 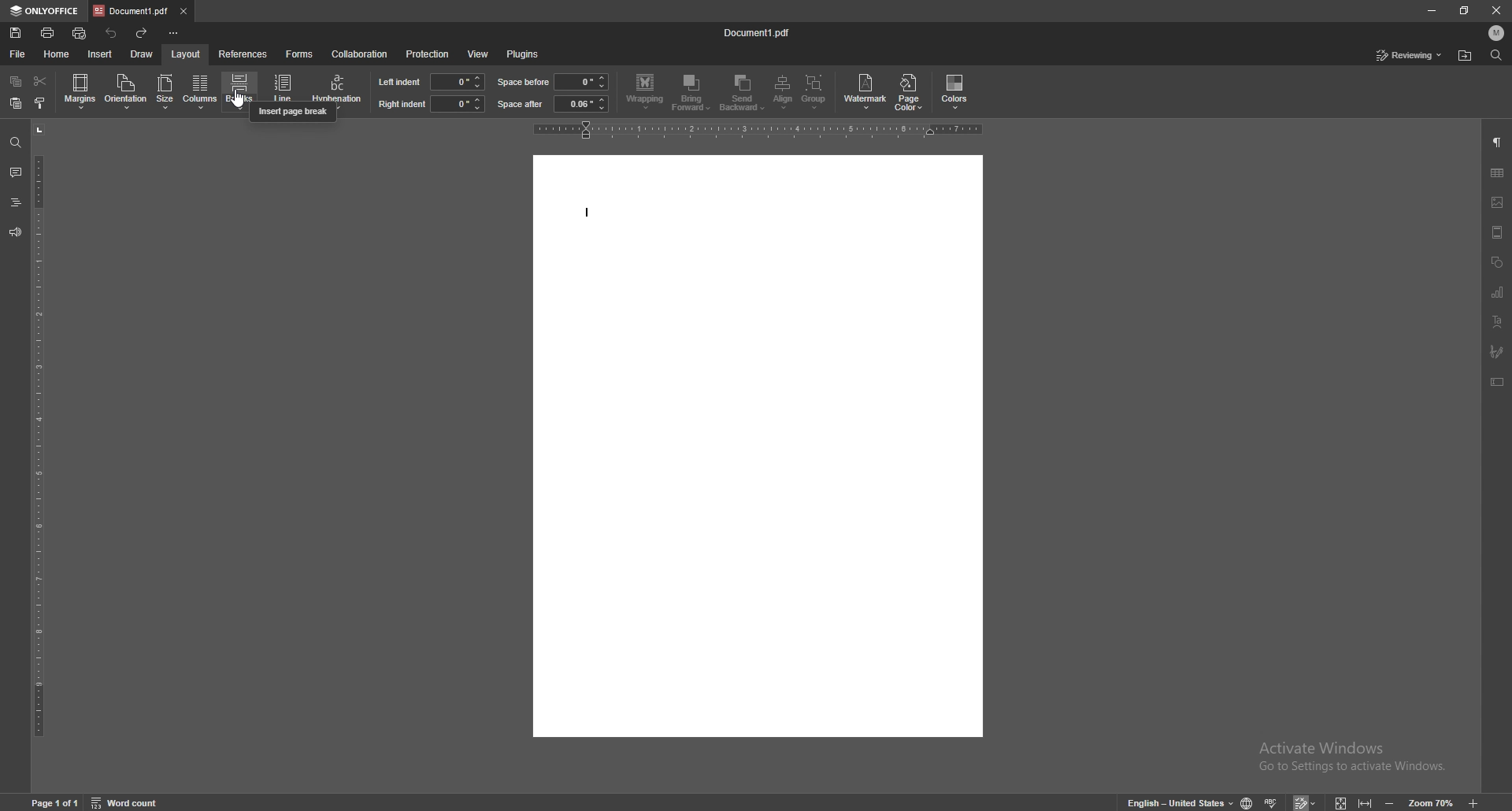 I want to click on table, so click(x=1497, y=172).